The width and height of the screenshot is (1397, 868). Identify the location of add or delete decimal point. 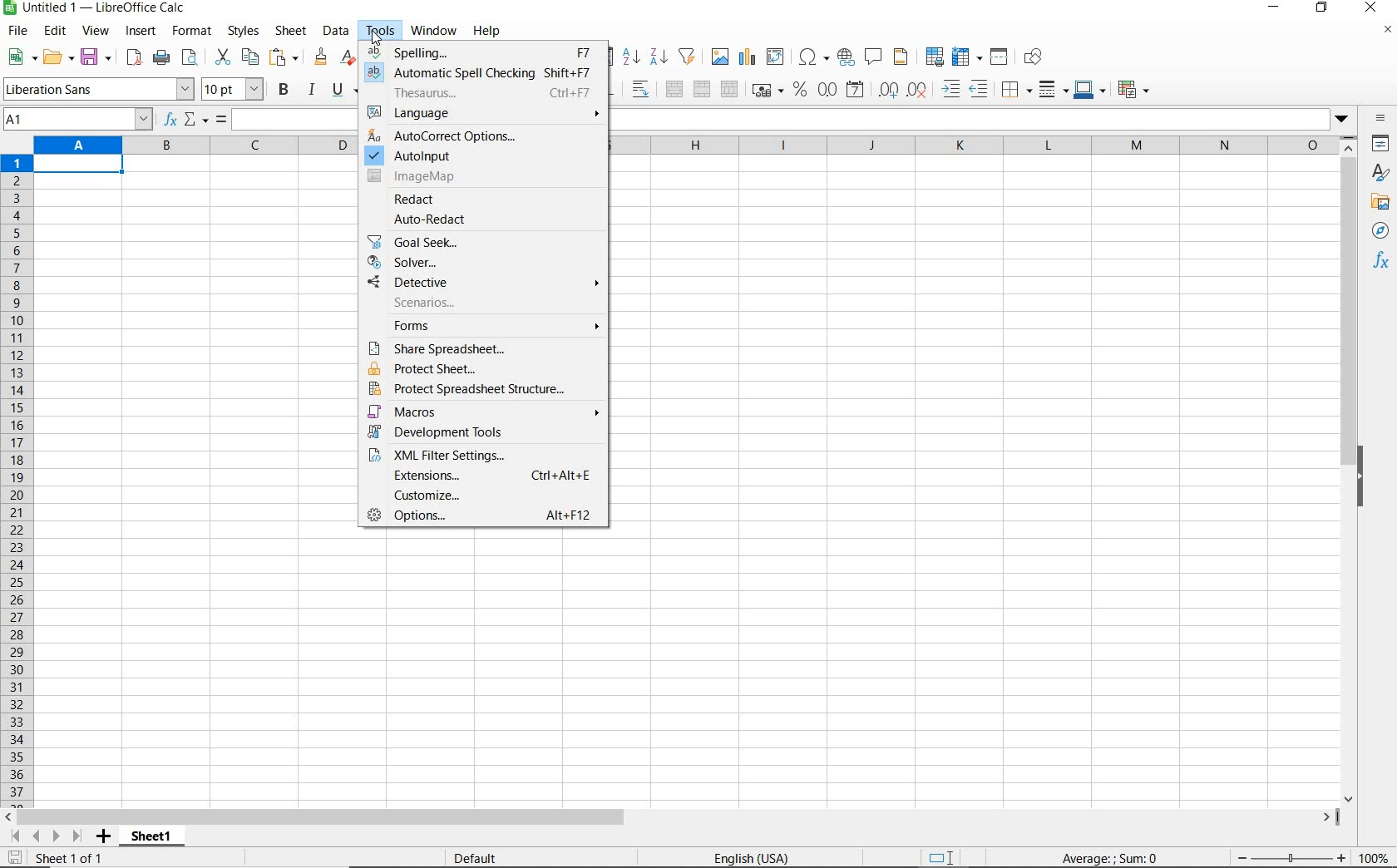
(903, 90).